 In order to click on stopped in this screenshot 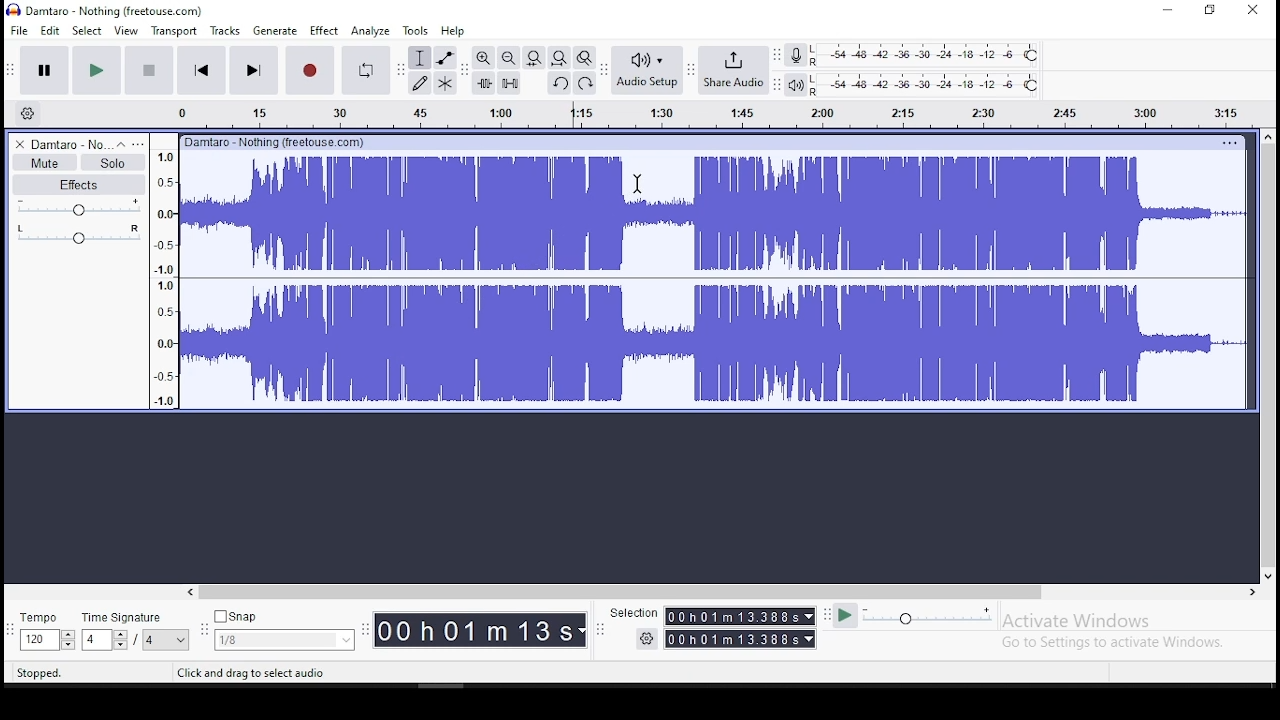, I will do `click(35, 673)`.